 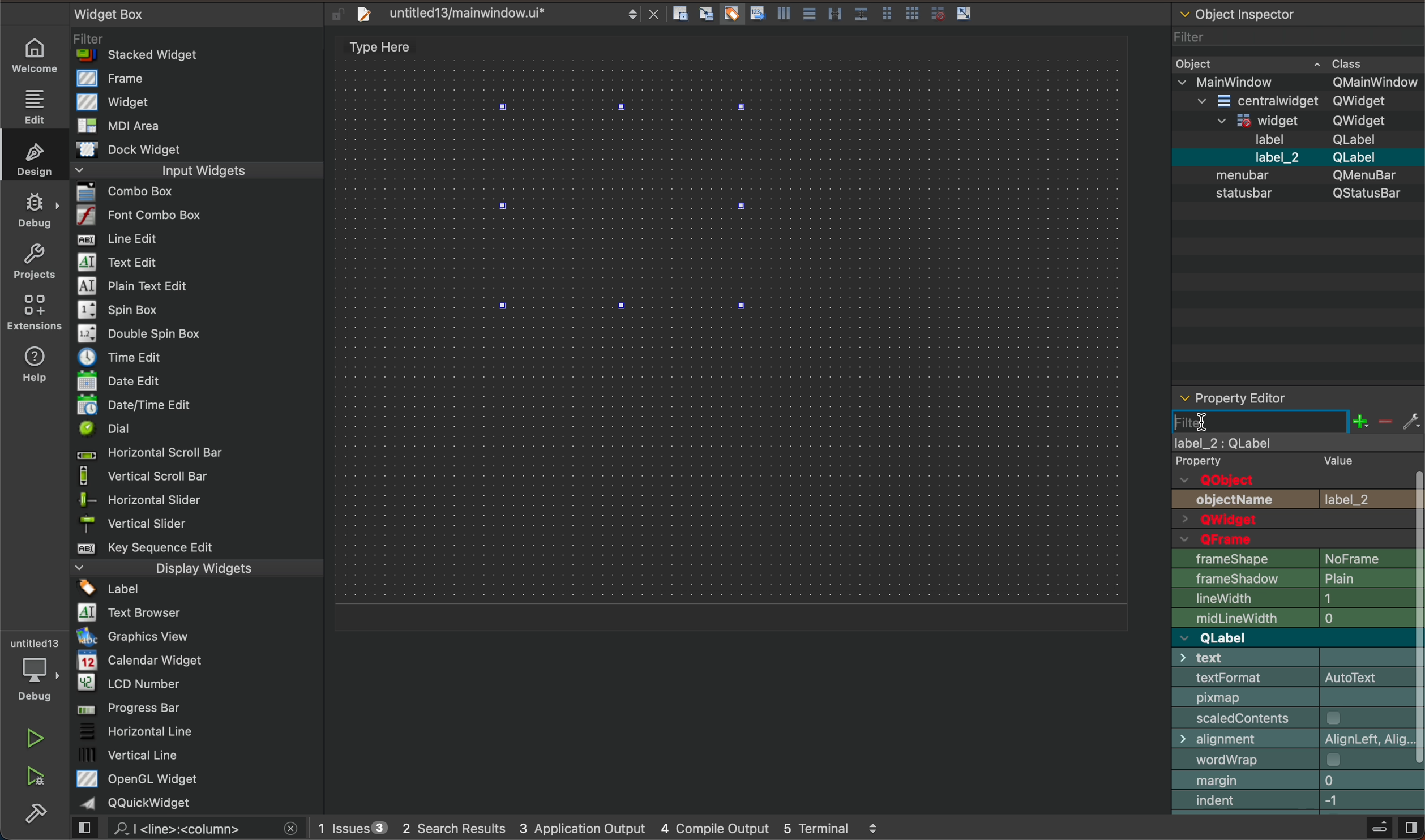 I want to click on widget box, so click(x=202, y=408).